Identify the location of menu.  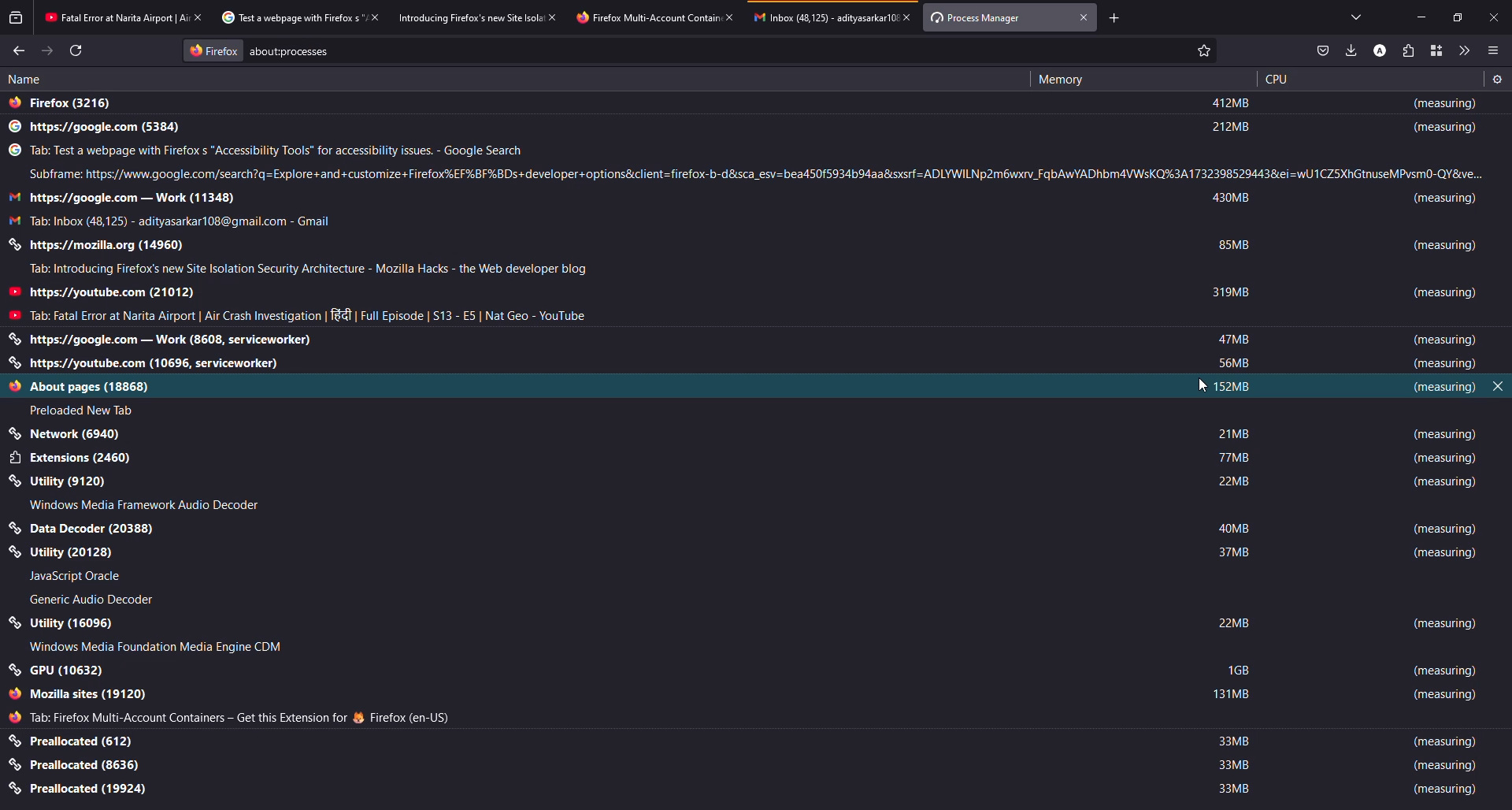
(1493, 50).